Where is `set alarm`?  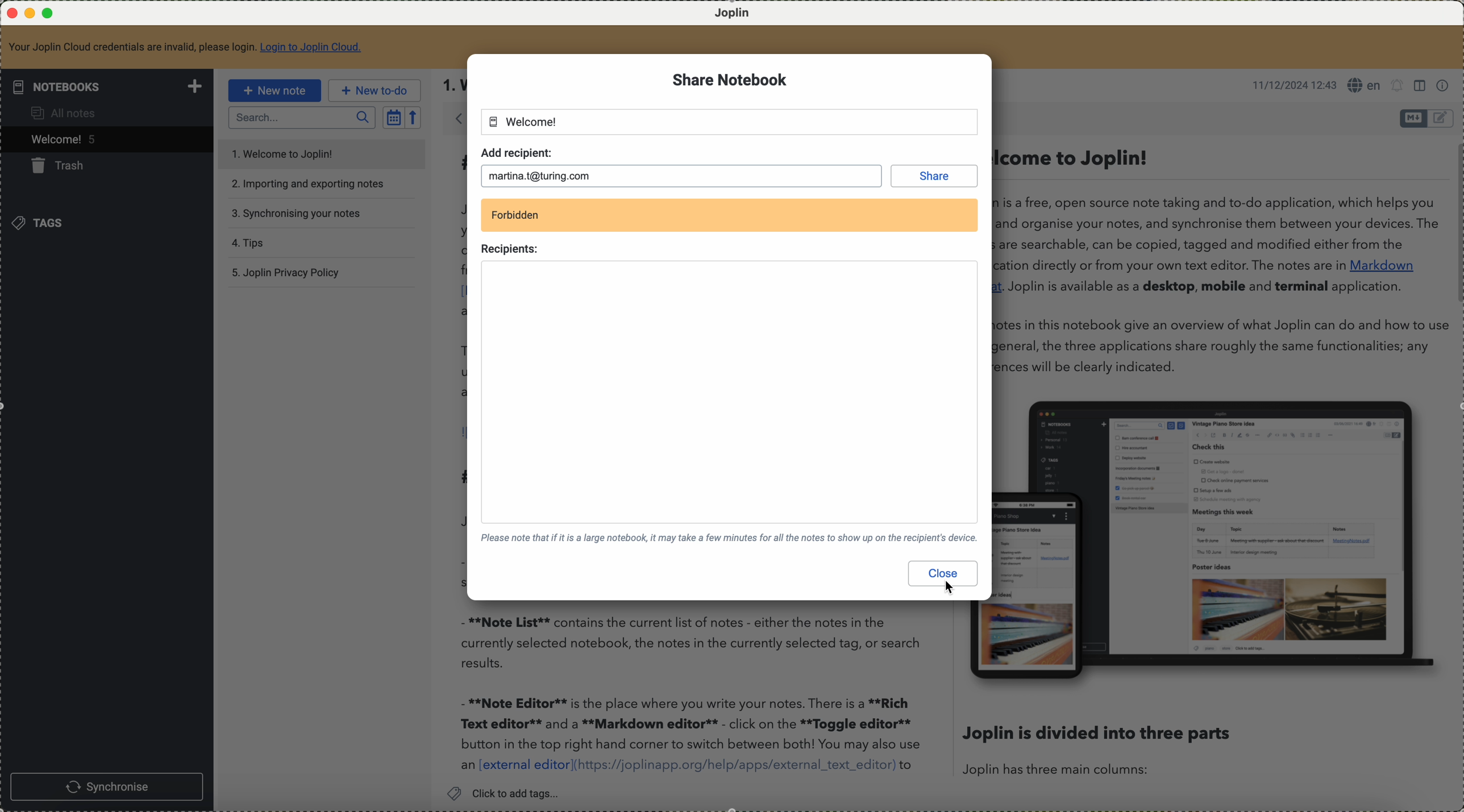 set alarm is located at coordinates (1398, 86).